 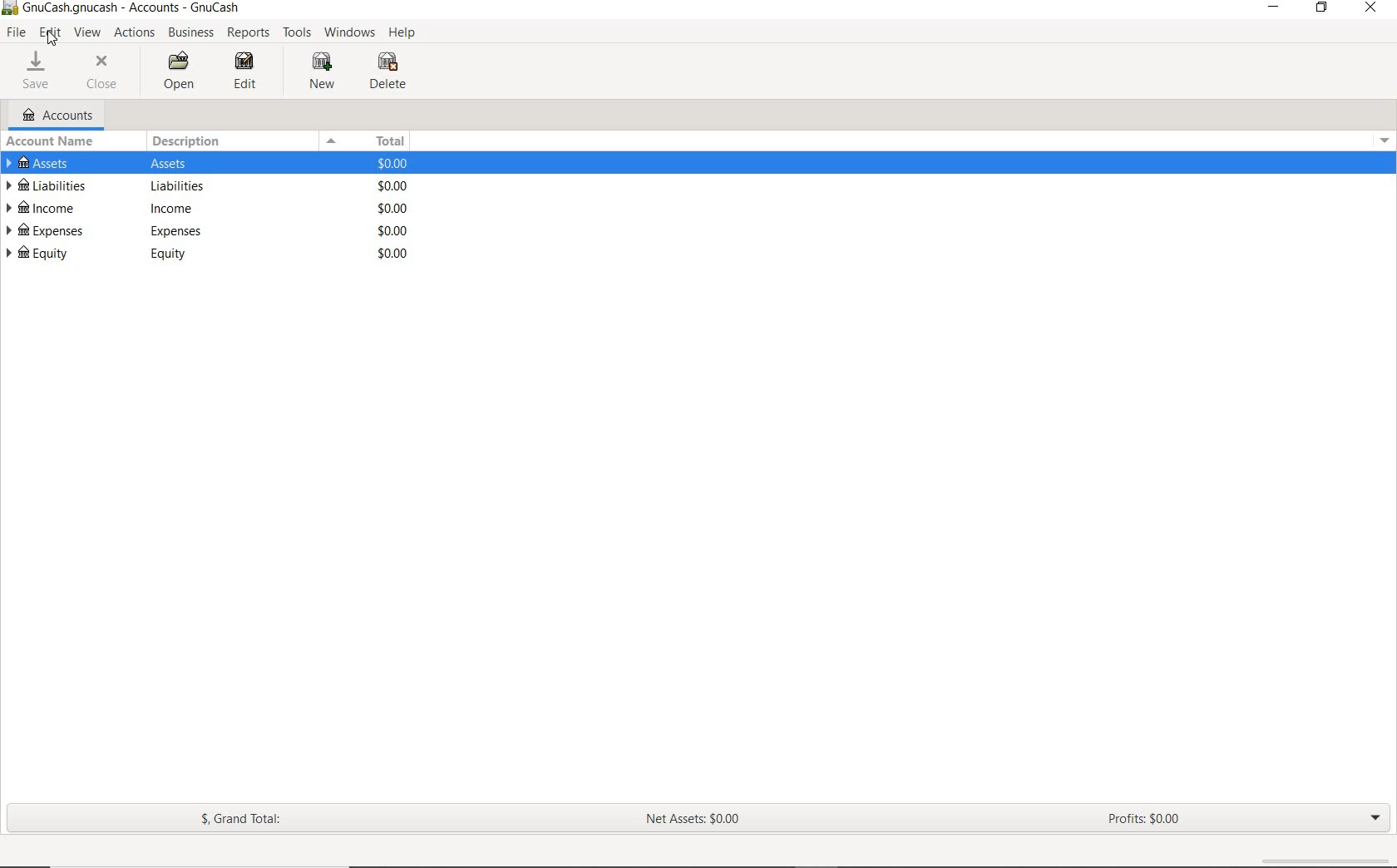 I want to click on ASSETS, so click(x=218, y=163).